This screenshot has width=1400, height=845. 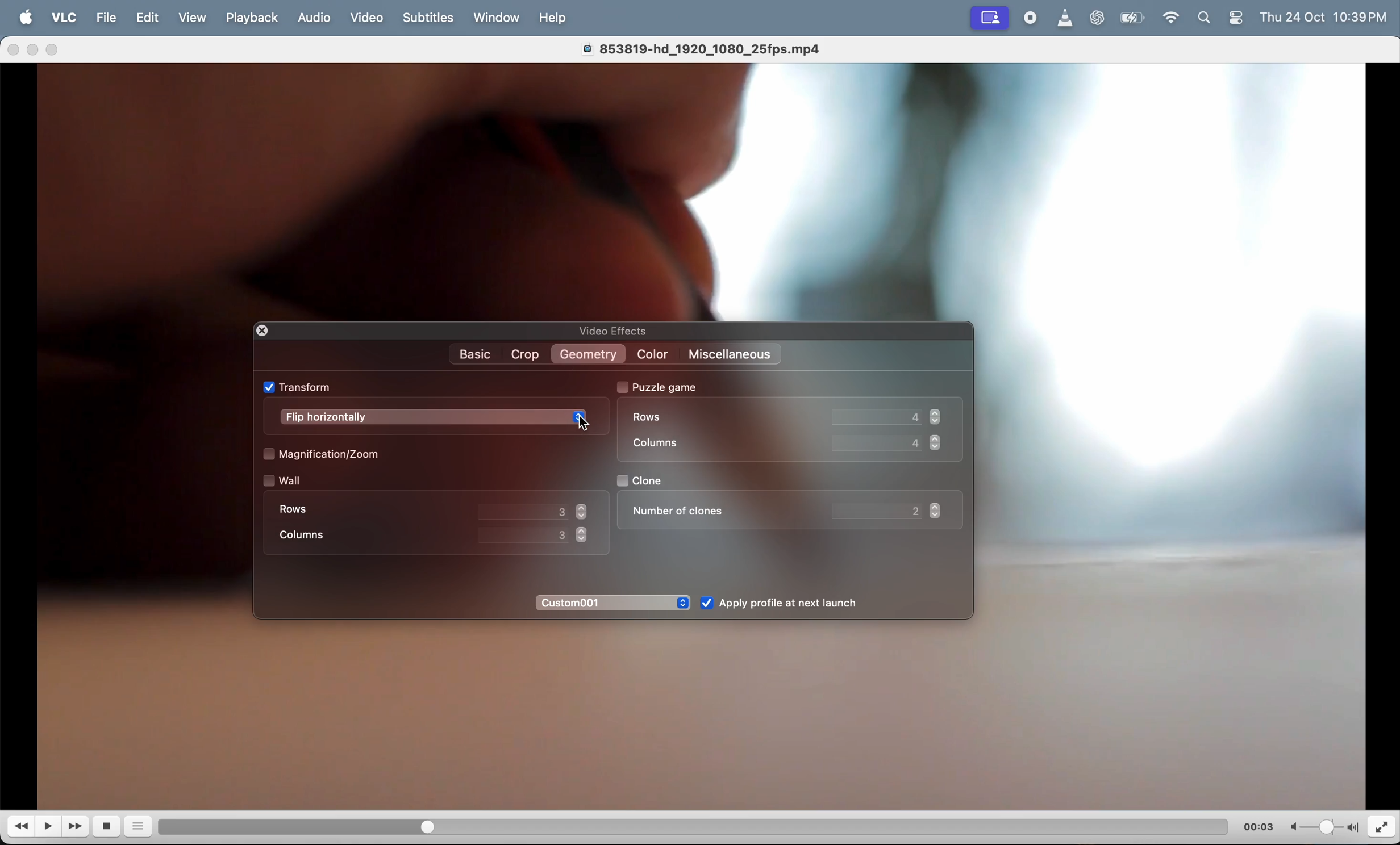 I want to click on view, so click(x=198, y=18).